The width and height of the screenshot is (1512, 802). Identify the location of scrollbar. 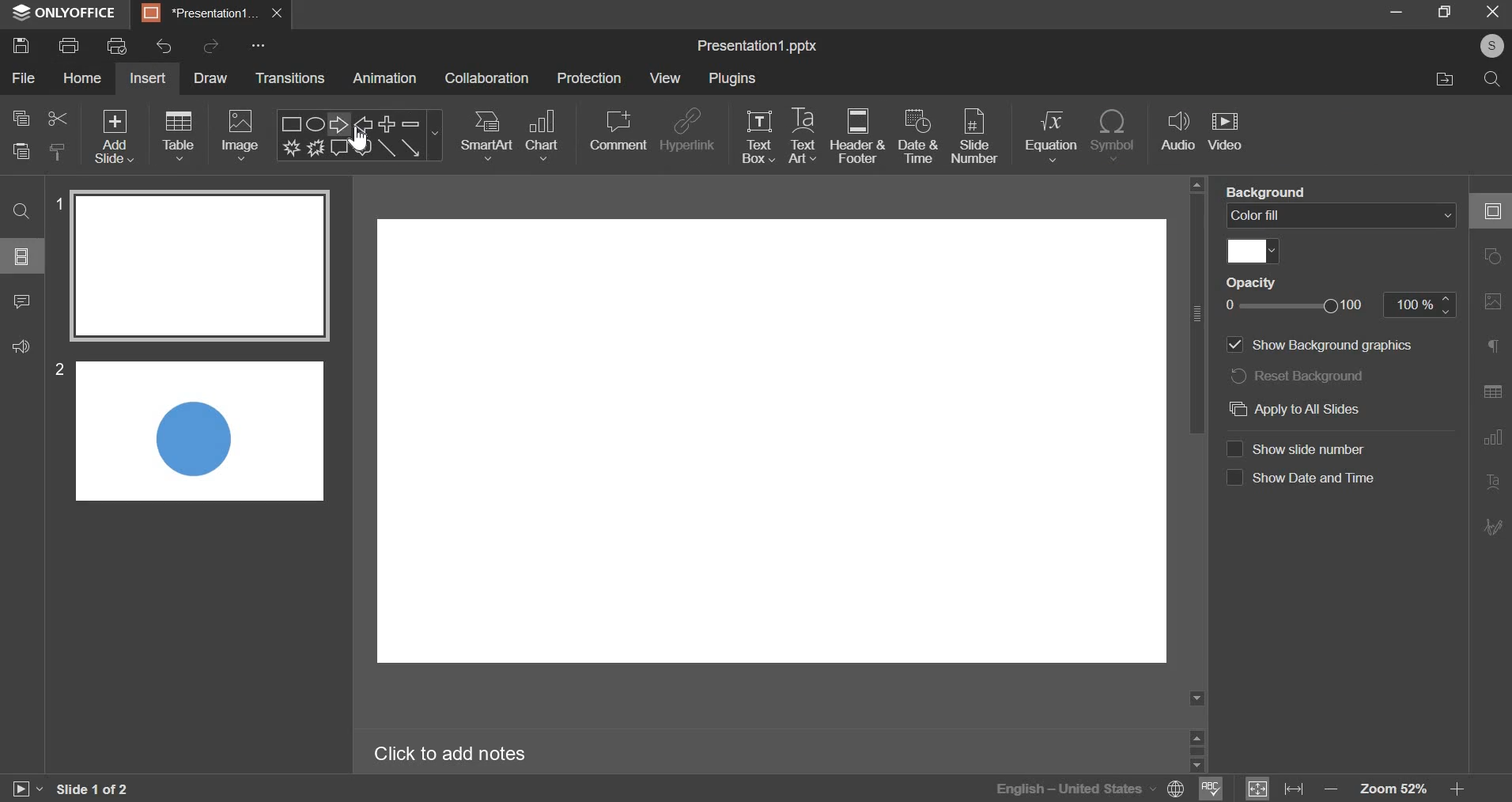
(1197, 751).